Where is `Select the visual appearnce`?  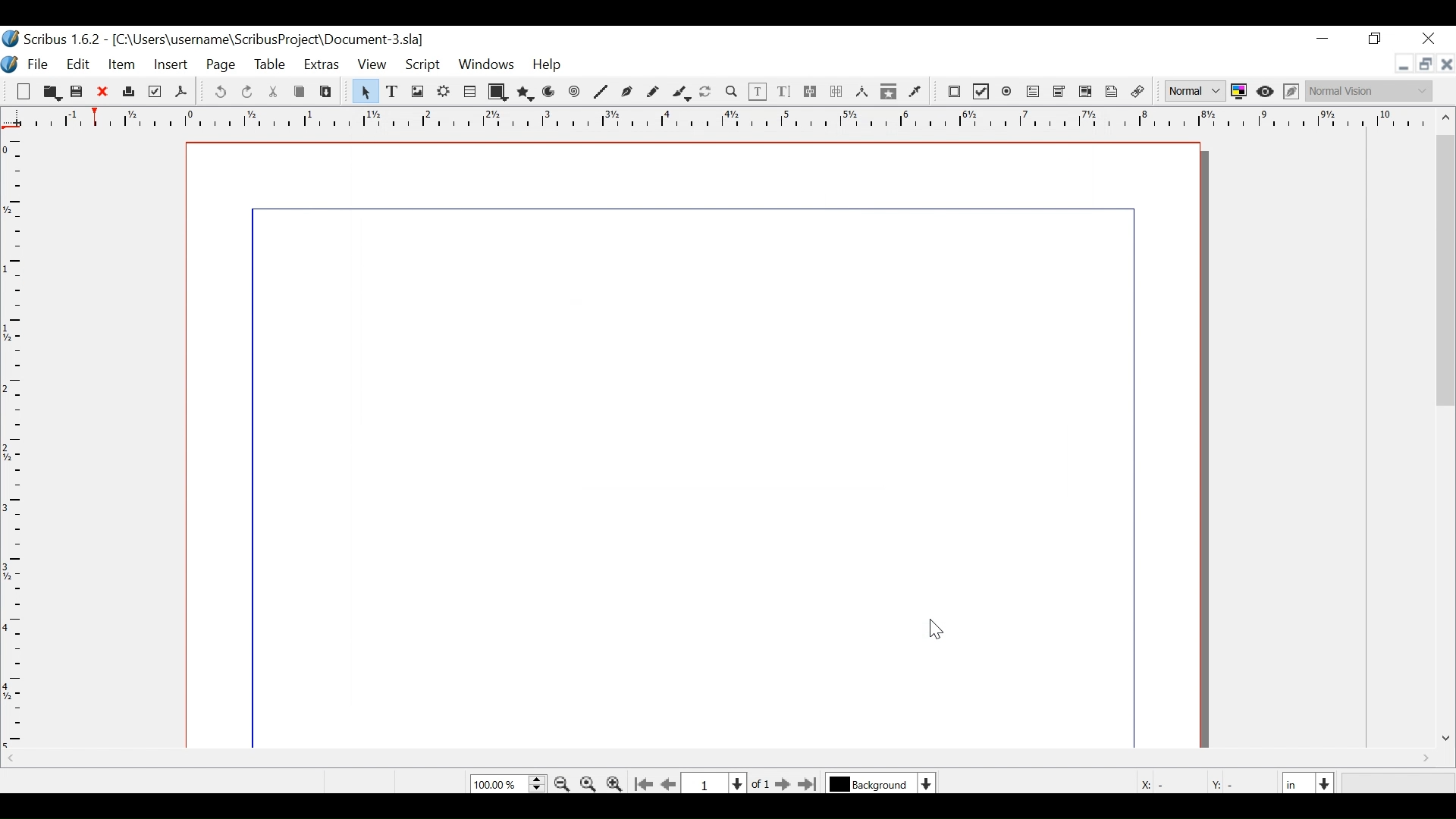 Select the visual appearnce is located at coordinates (1373, 91).